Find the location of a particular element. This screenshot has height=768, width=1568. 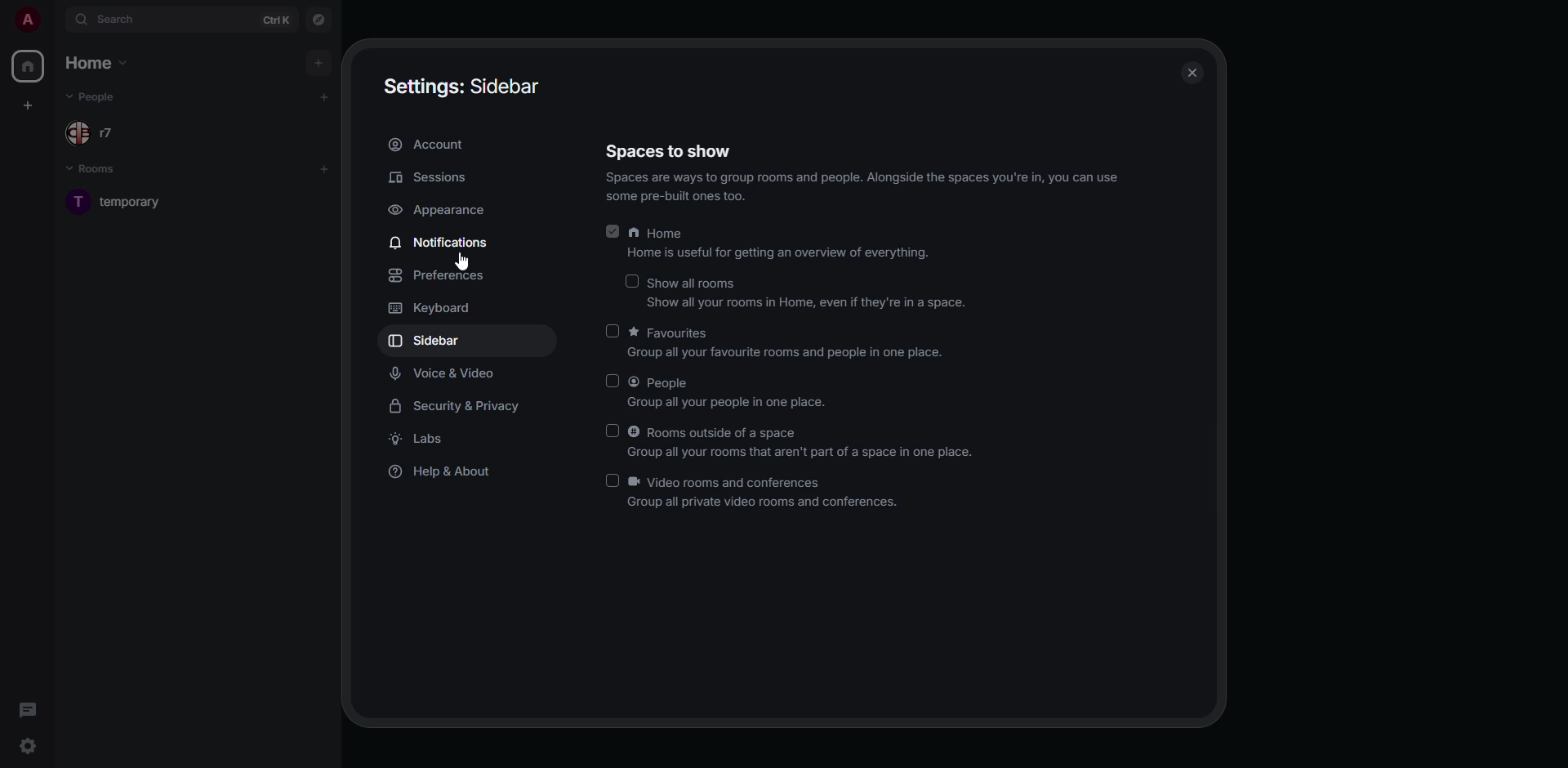

home is located at coordinates (781, 243).